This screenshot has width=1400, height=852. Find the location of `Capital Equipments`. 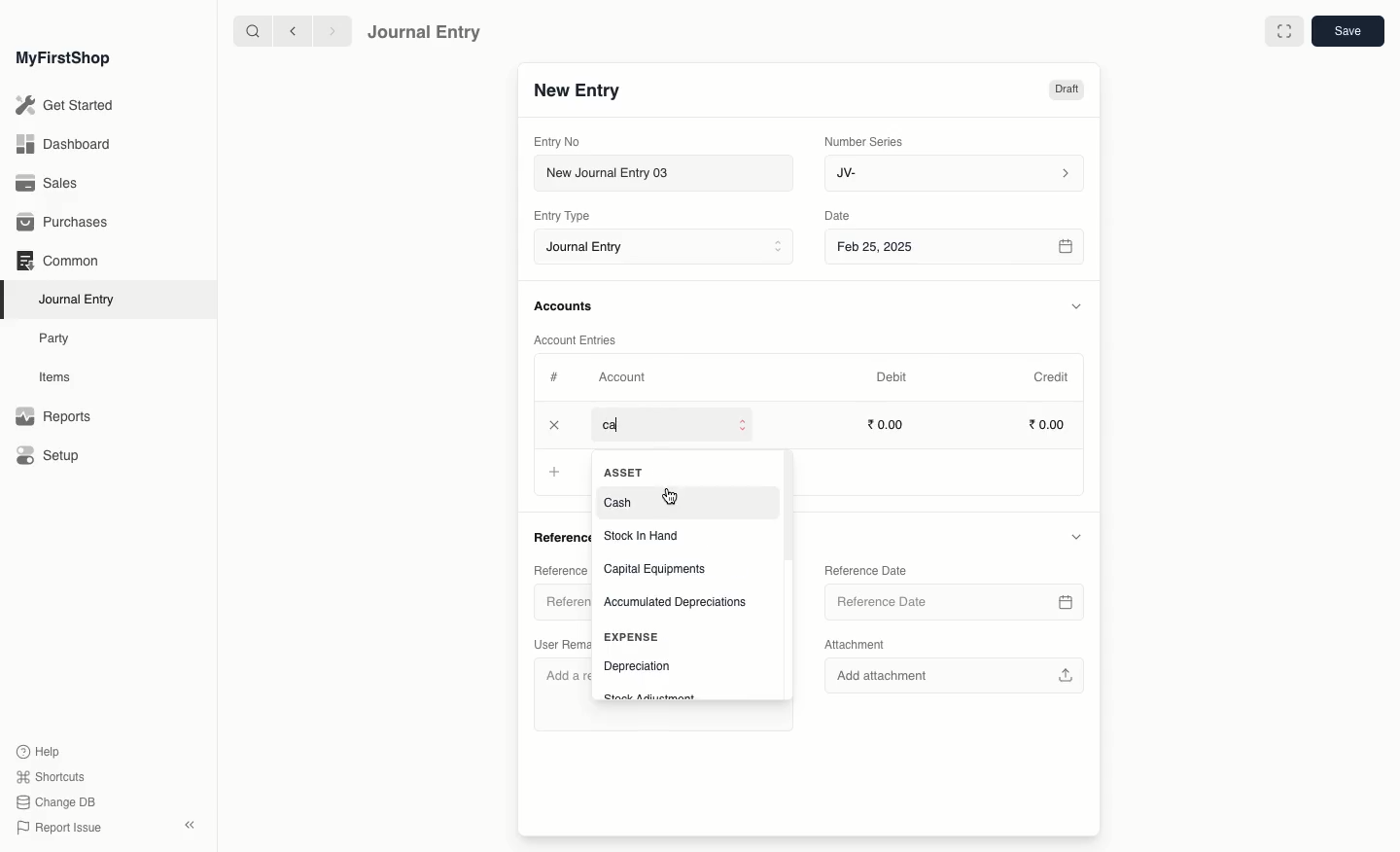

Capital Equipments is located at coordinates (659, 569).